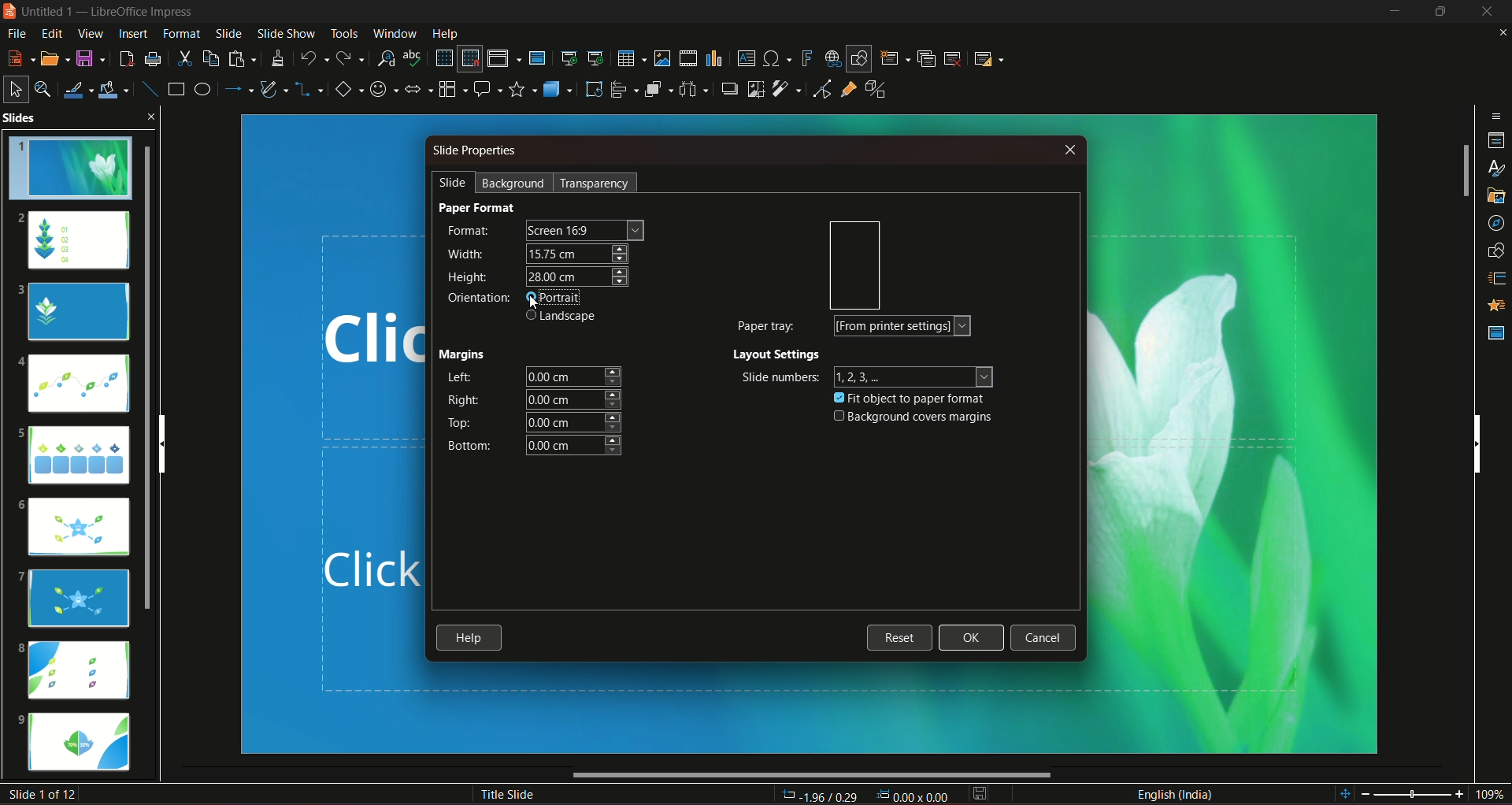 This screenshot has height=805, width=1512. What do you see at coordinates (1494, 198) in the screenshot?
I see `gallery` at bounding box center [1494, 198].